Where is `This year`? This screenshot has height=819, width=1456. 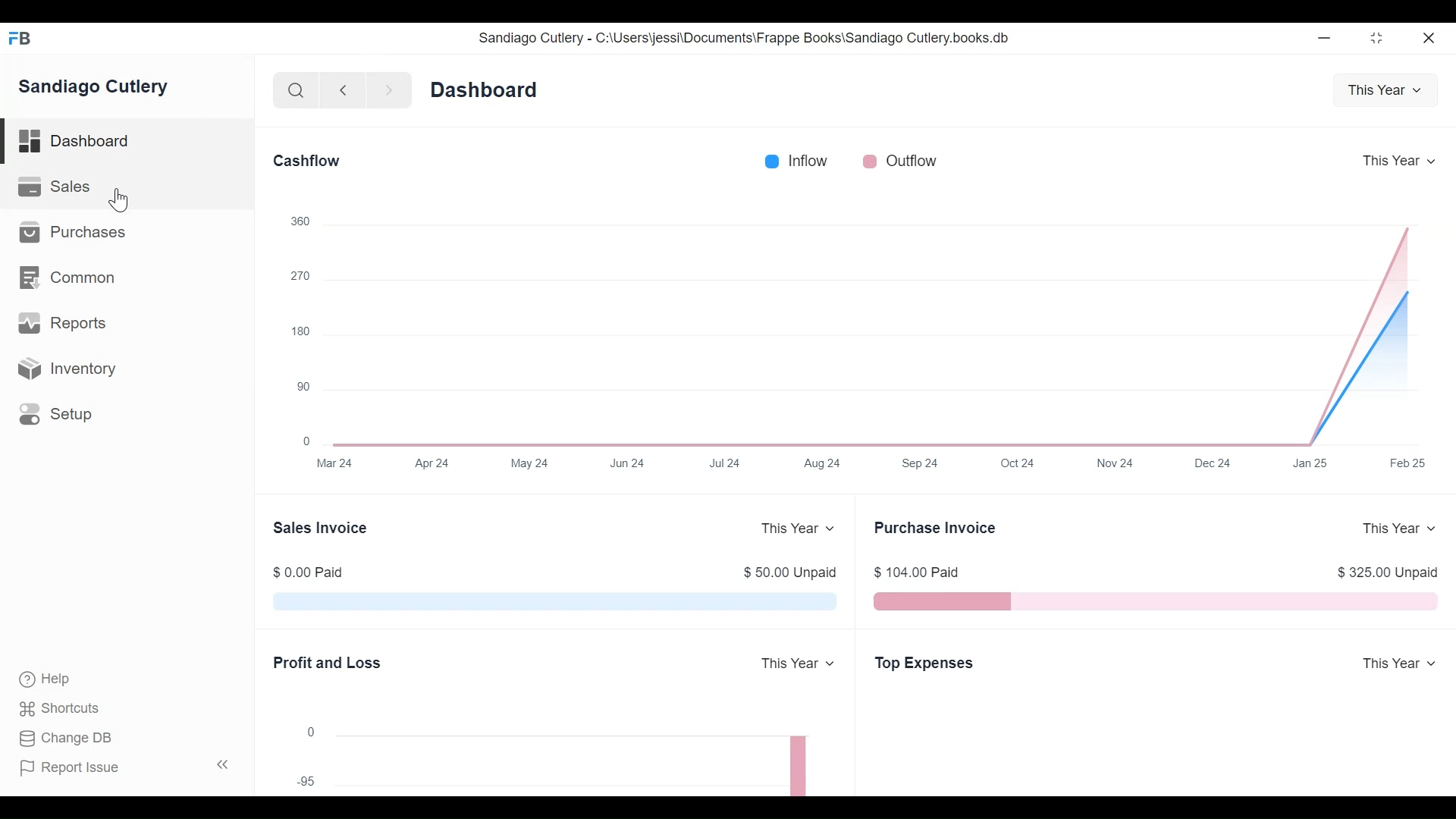 This year is located at coordinates (1401, 664).